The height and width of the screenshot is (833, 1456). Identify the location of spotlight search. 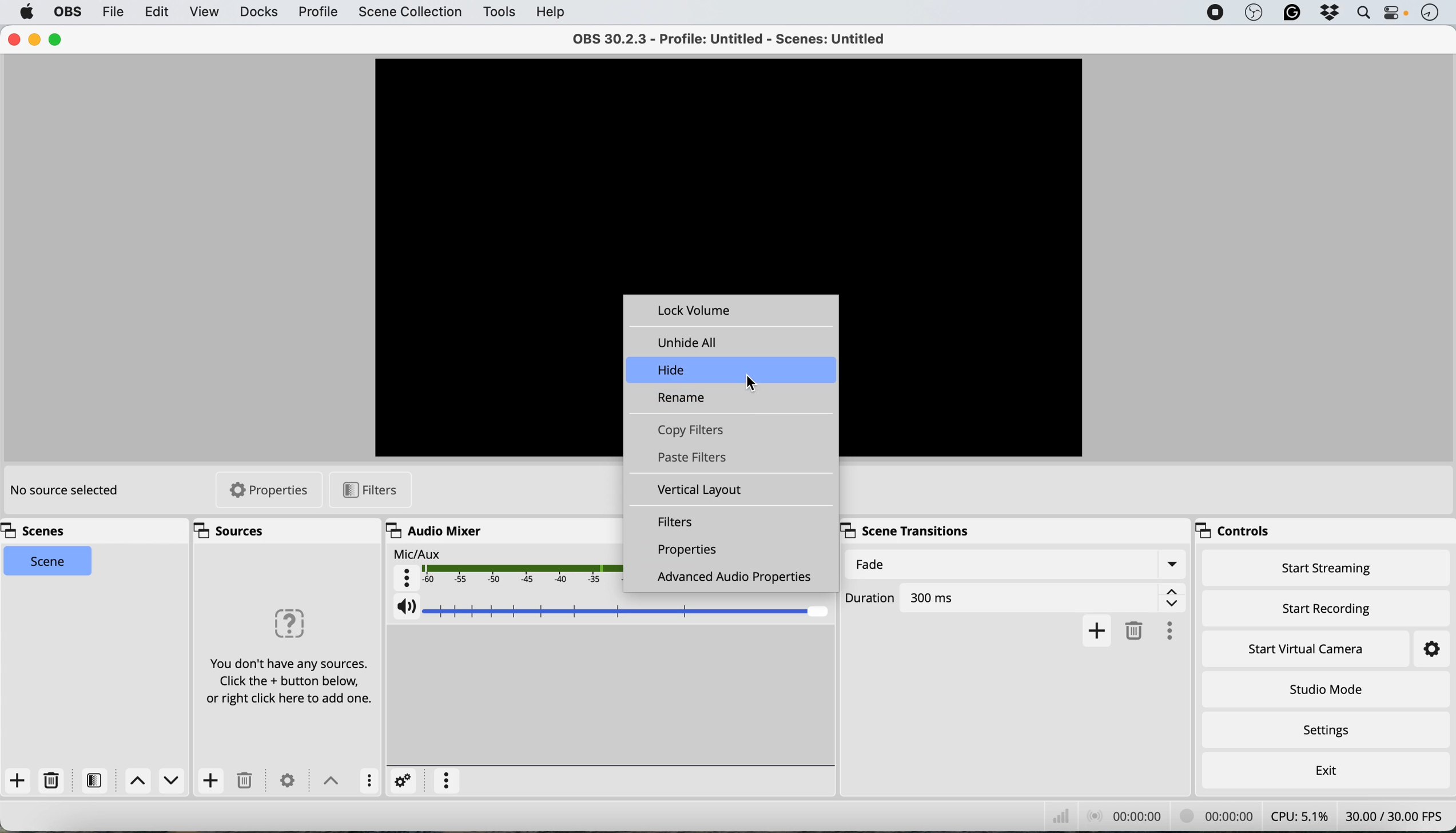
(1361, 13).